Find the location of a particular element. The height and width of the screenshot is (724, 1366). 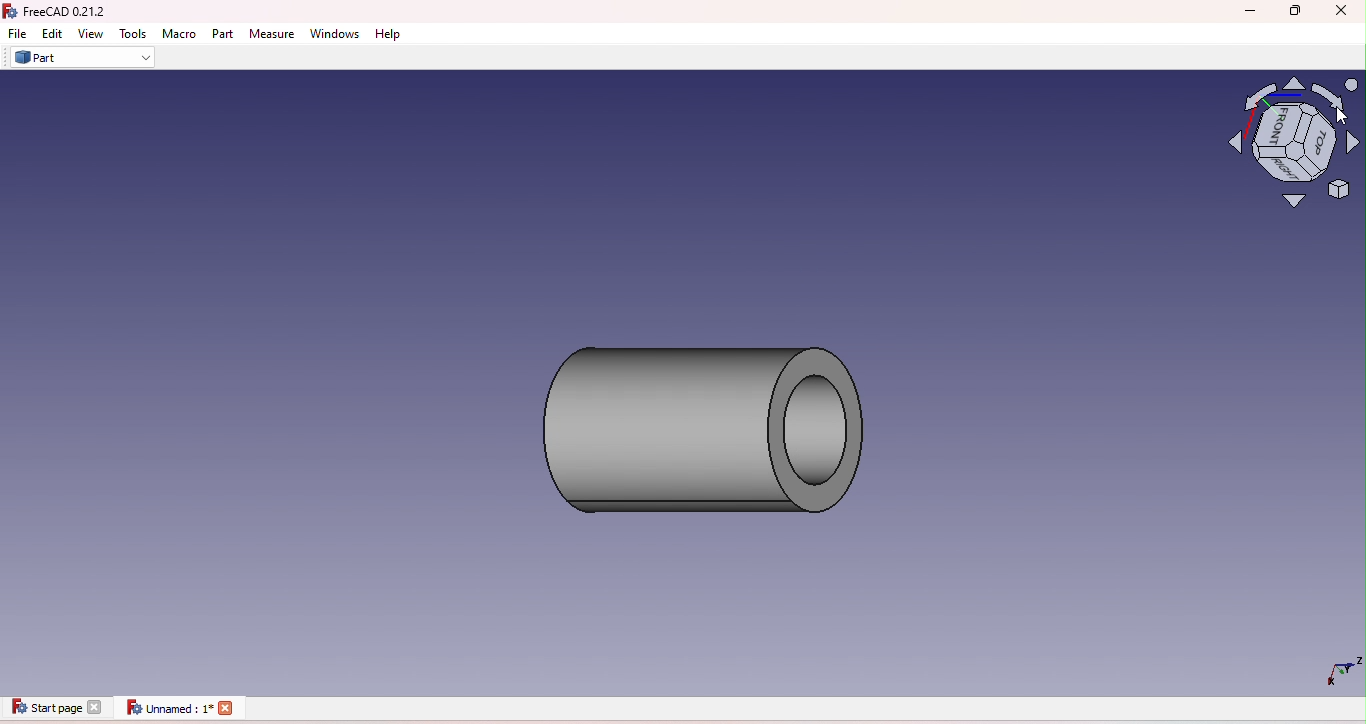

Dimensions is located at coordinates (1339, 667).